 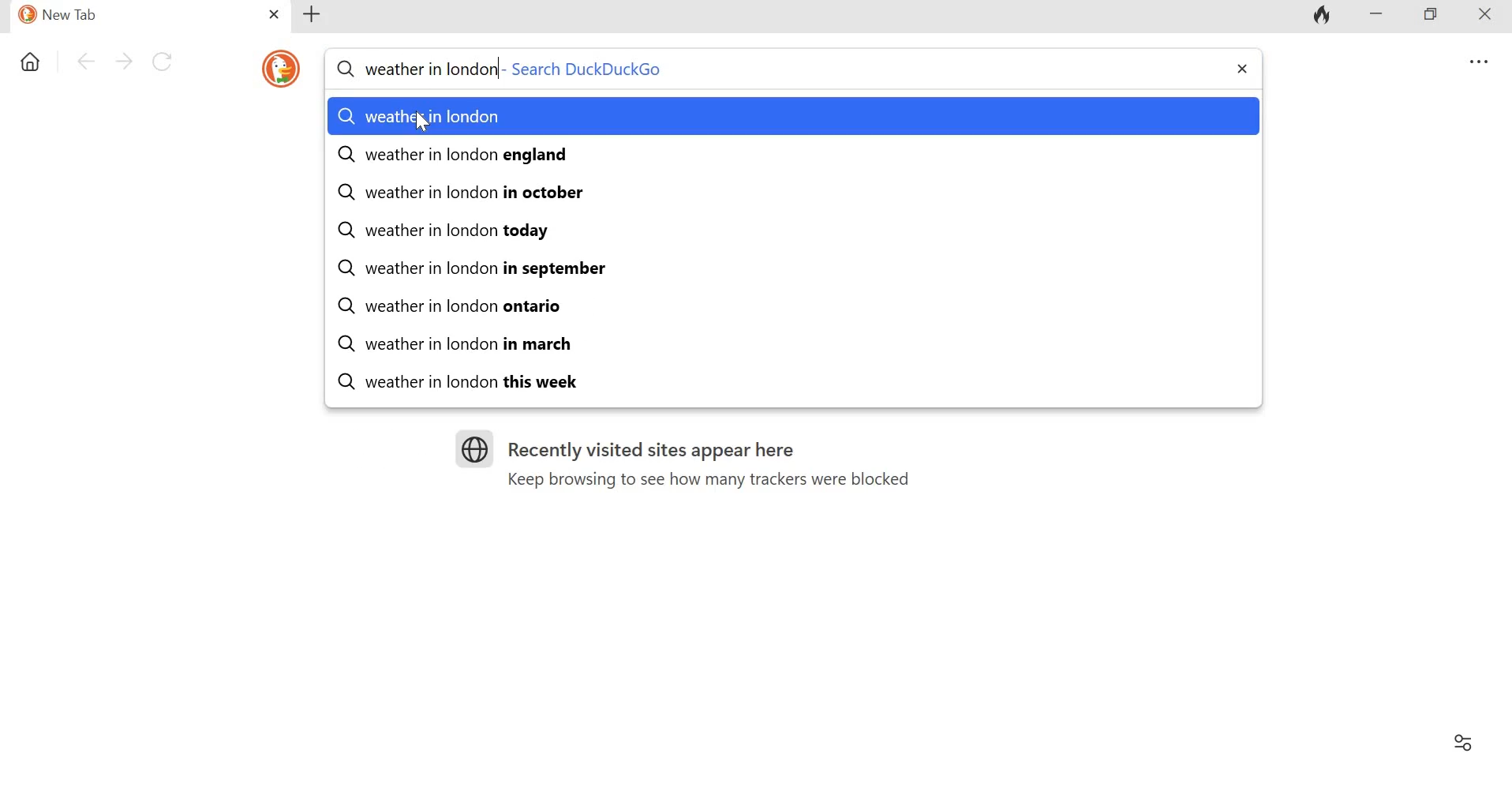 I want to click on New Tab, so click(x=139, y=17).